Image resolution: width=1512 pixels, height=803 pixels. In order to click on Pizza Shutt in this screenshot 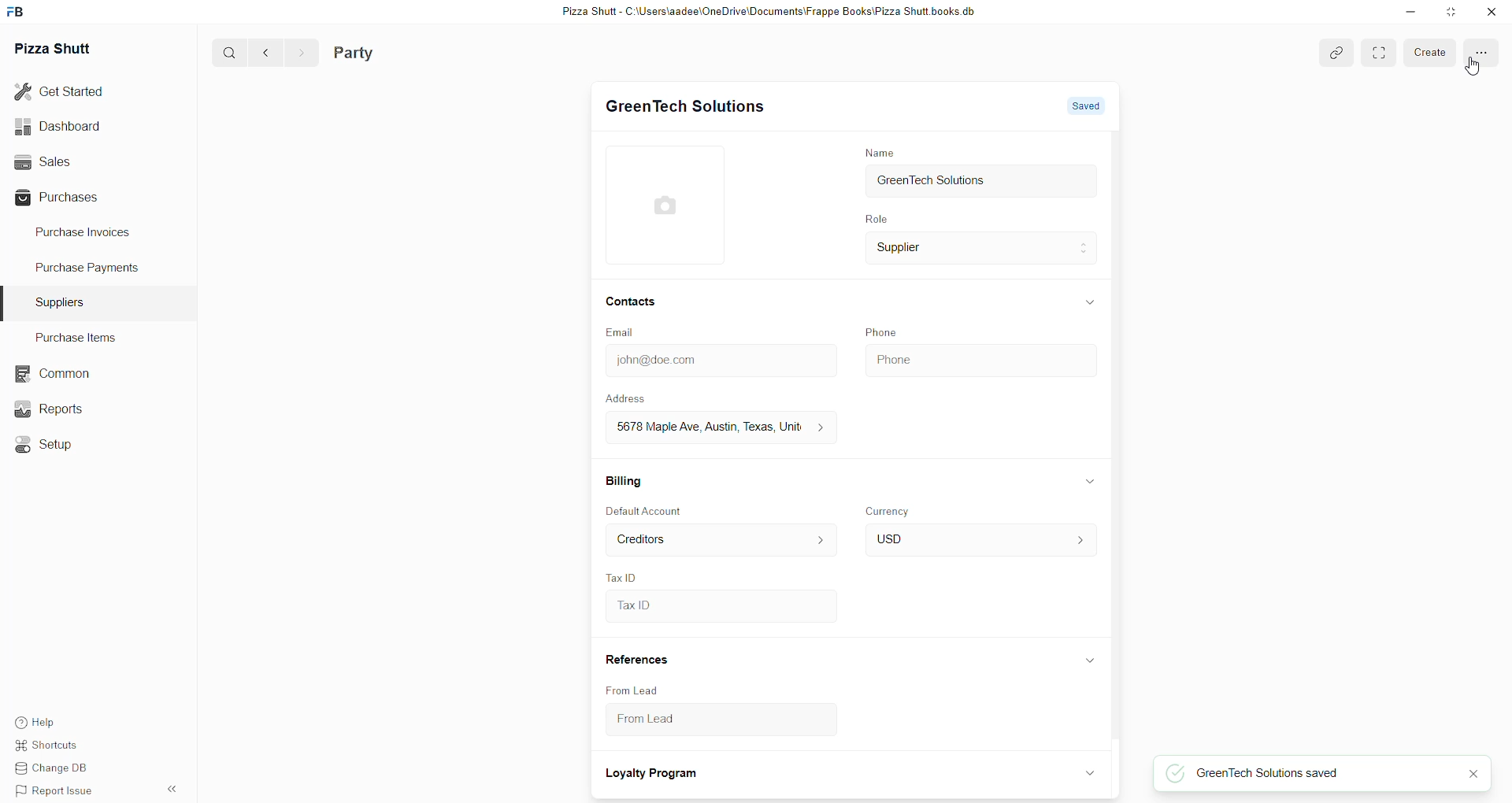, I will do `click(58, 49)`.